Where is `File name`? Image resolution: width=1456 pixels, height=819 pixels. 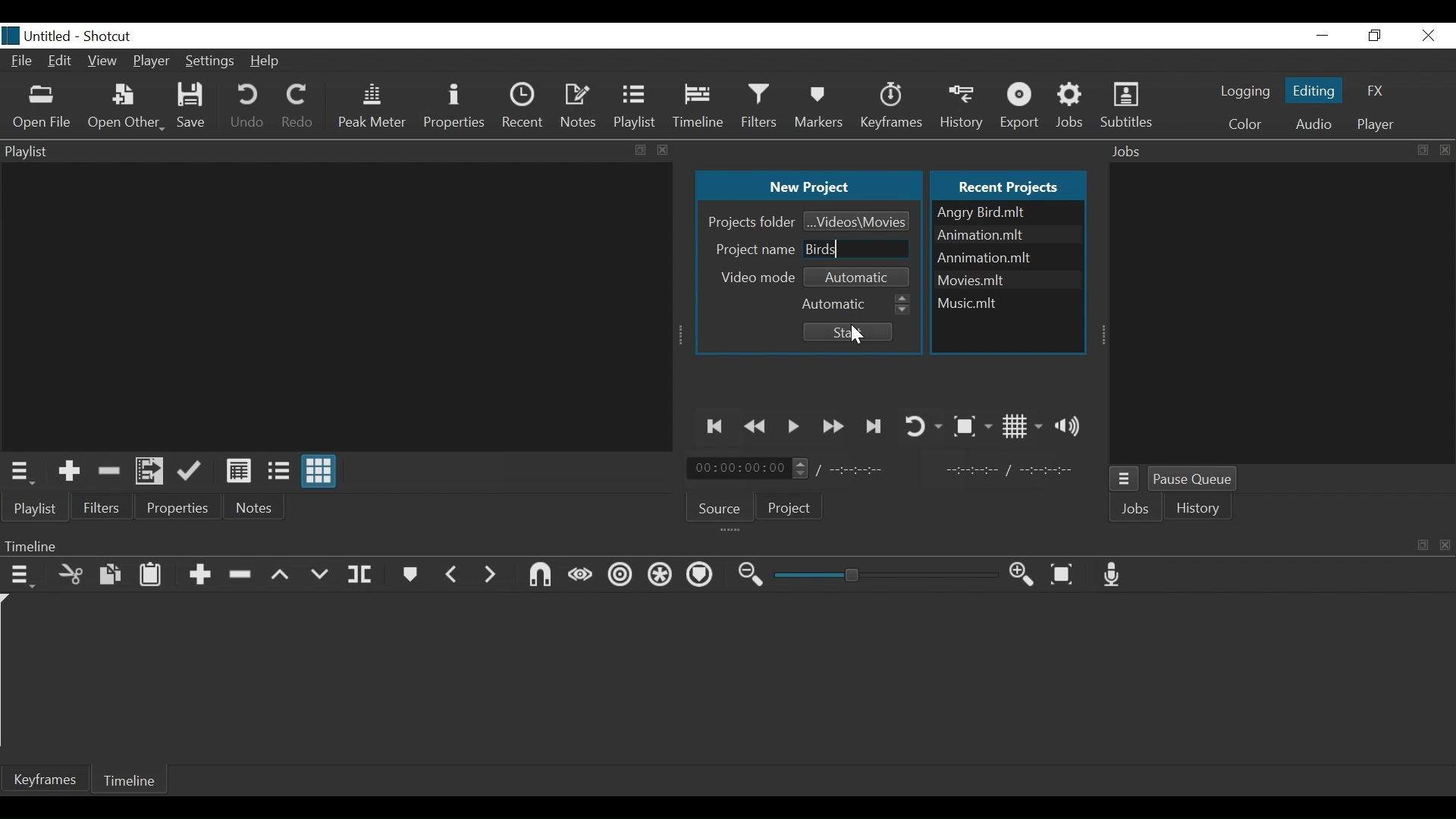
File name is located at coordinates (1008, 278).